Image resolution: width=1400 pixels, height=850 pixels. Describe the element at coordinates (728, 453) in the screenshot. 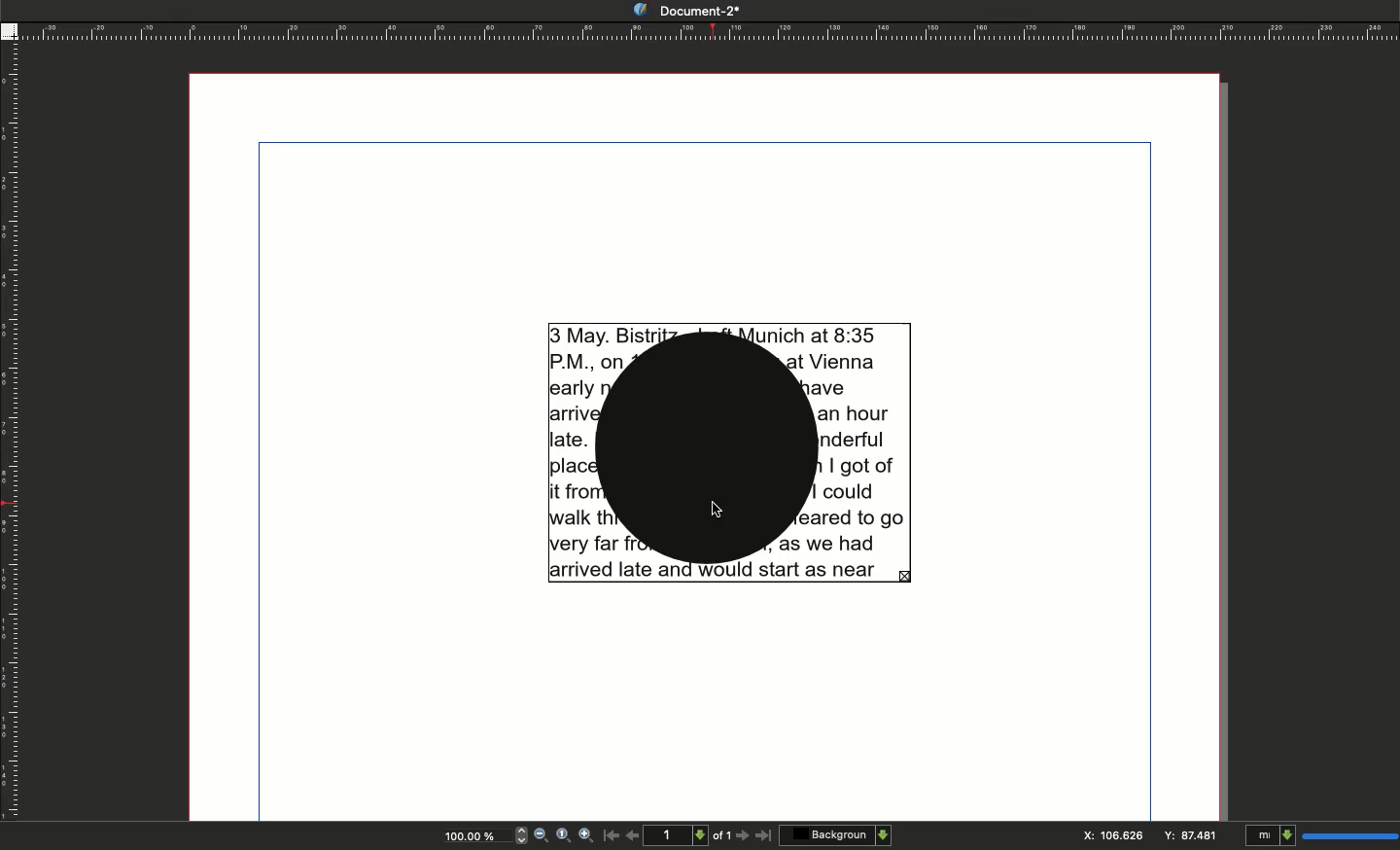

I see `Text frame behind shape` at that location.